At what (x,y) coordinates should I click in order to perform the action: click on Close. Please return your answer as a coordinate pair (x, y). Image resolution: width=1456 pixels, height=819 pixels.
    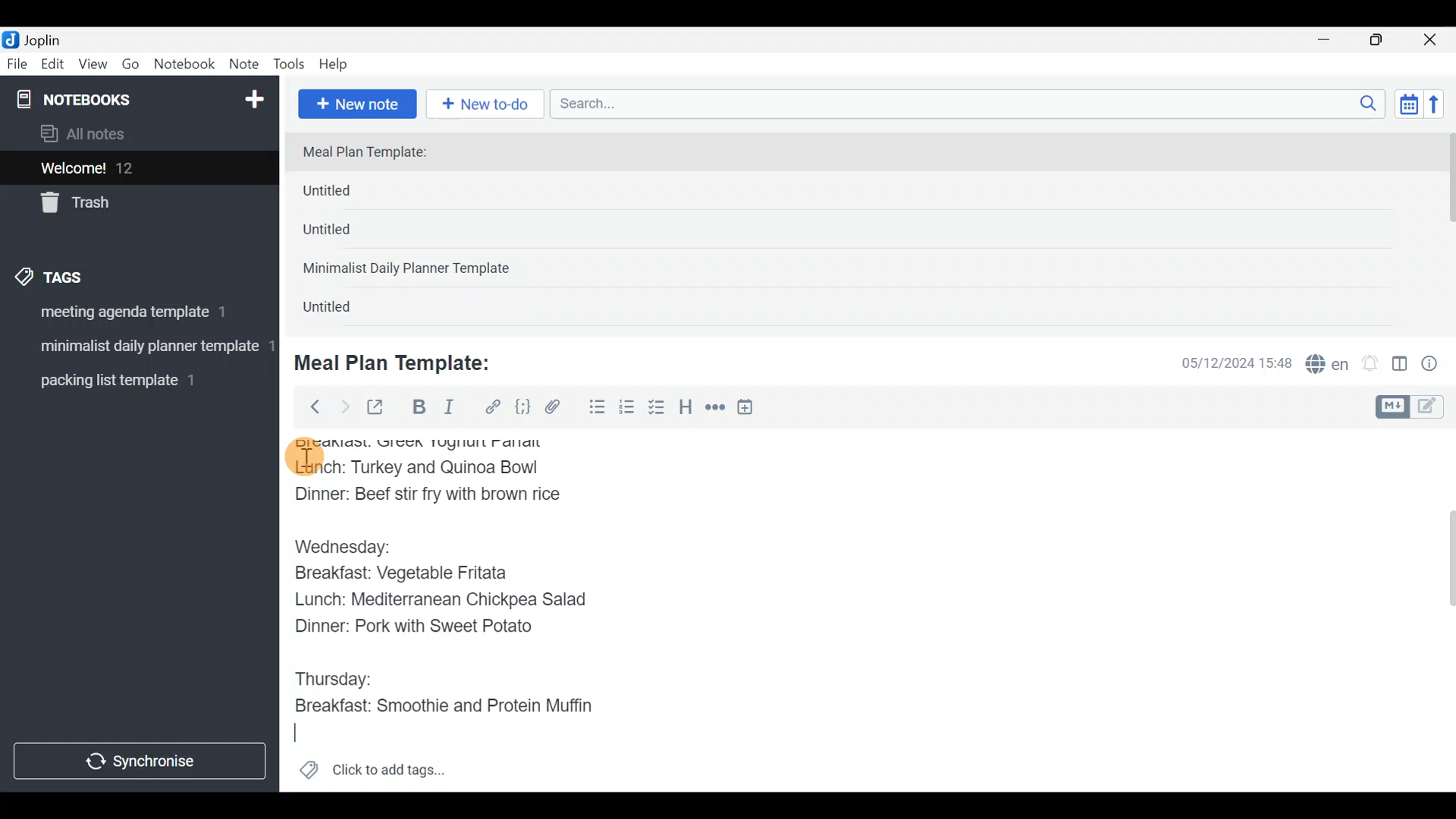
    Looking at the image, I should click on (1432, 41).